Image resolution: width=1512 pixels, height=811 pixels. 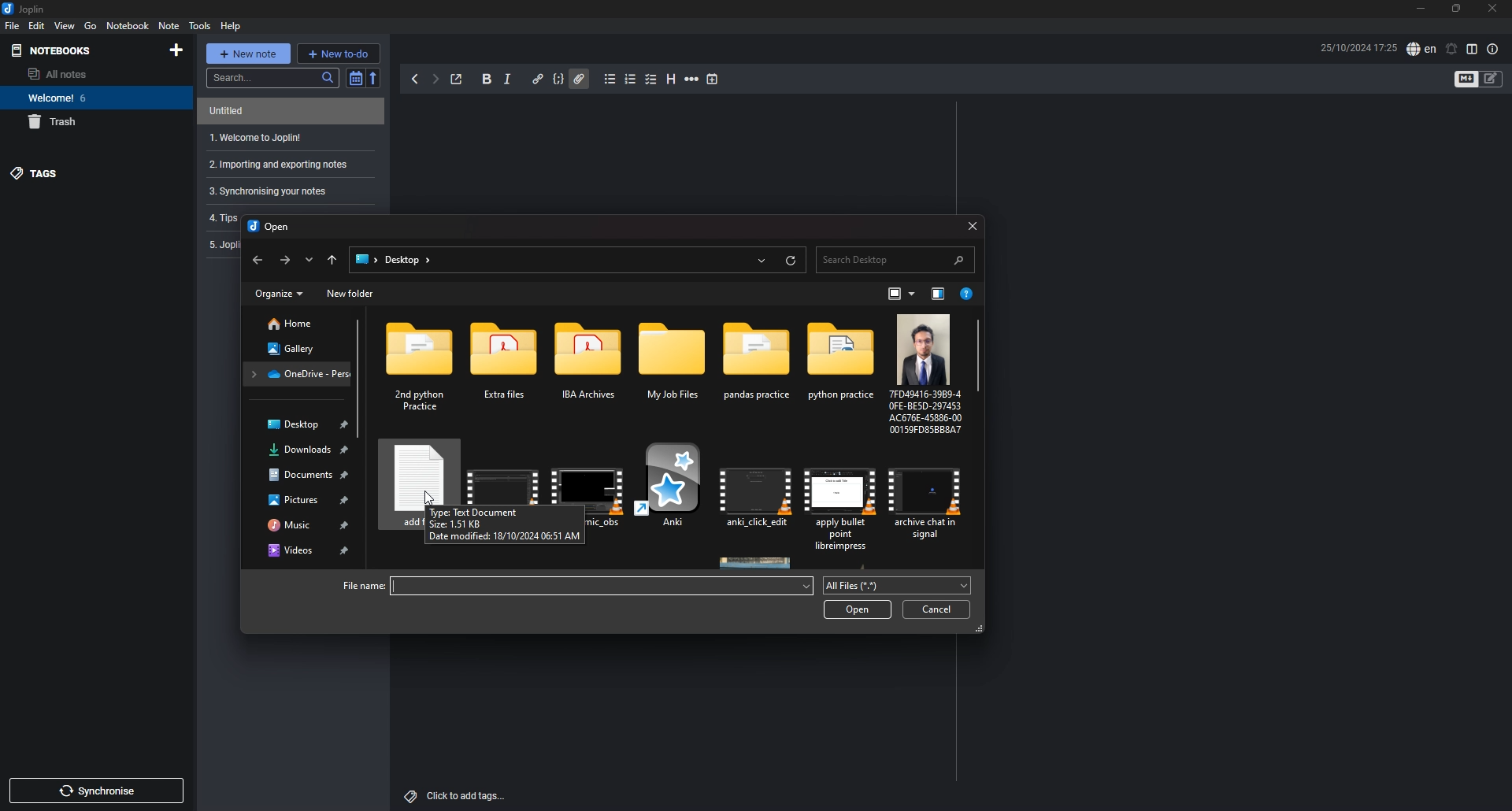 I want to click on file, so click(x=588, y=473).